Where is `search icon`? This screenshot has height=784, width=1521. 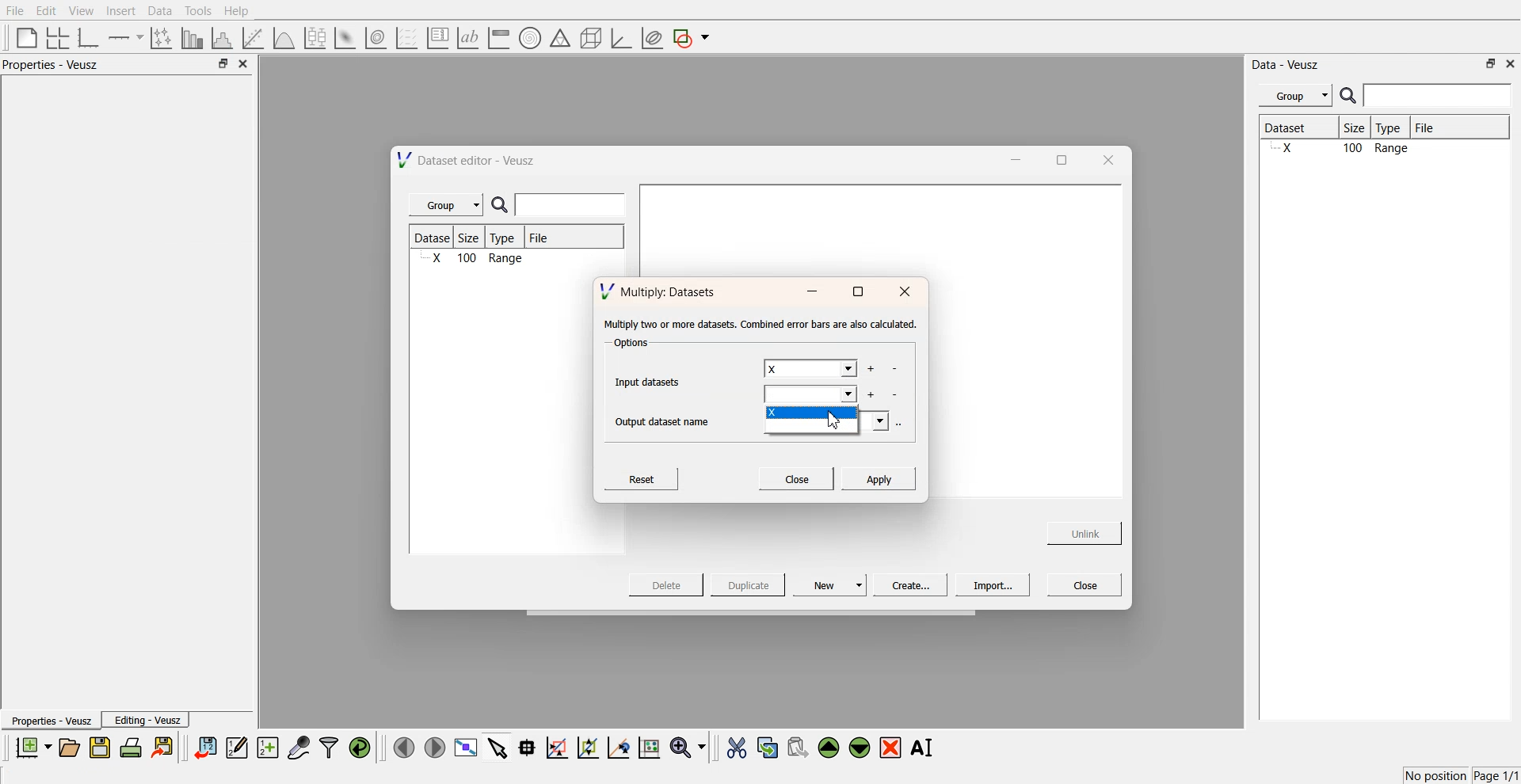
search icon is located at coordinates (1350, 95).